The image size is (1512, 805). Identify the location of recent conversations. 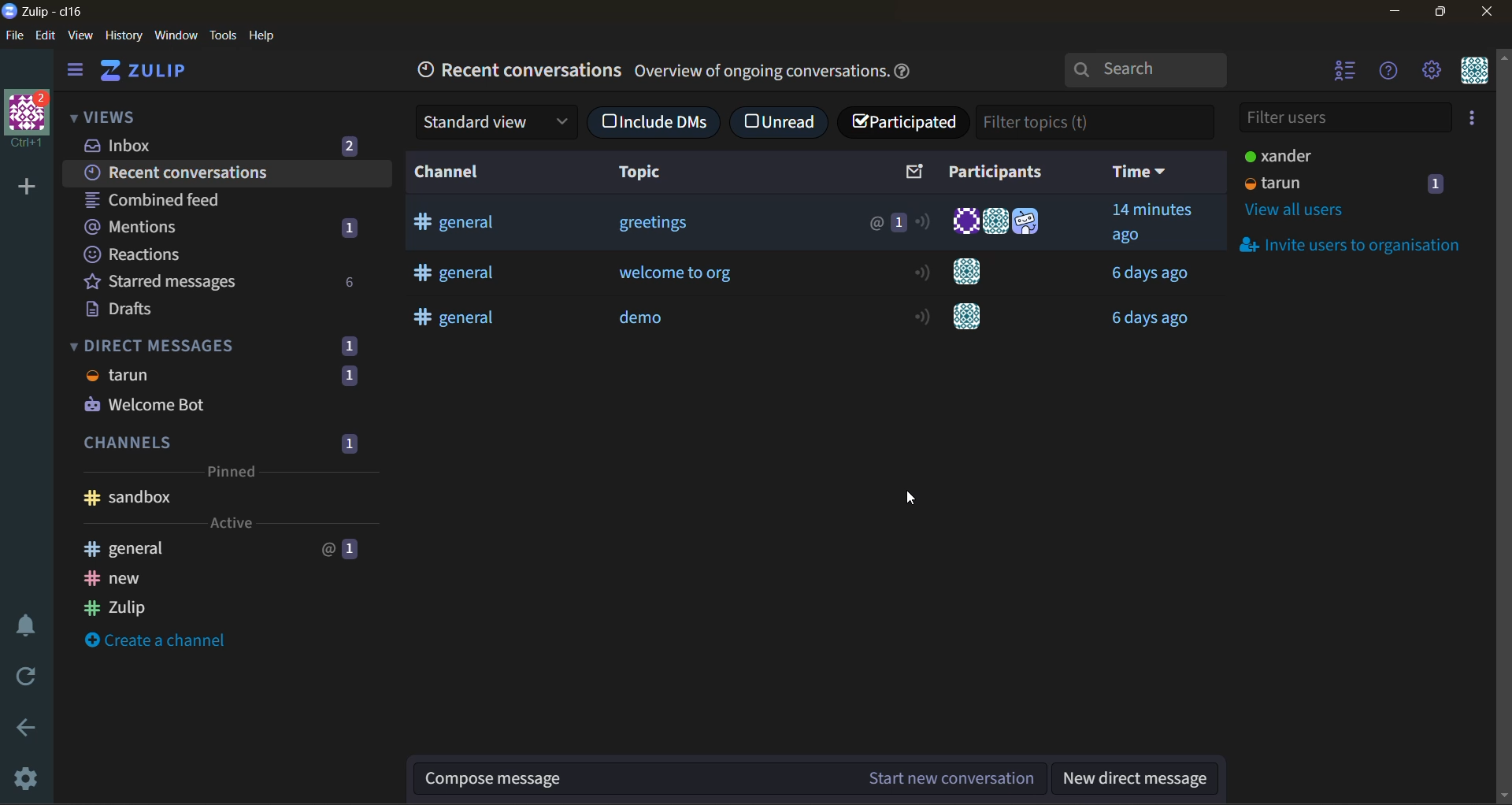
(515, 72).